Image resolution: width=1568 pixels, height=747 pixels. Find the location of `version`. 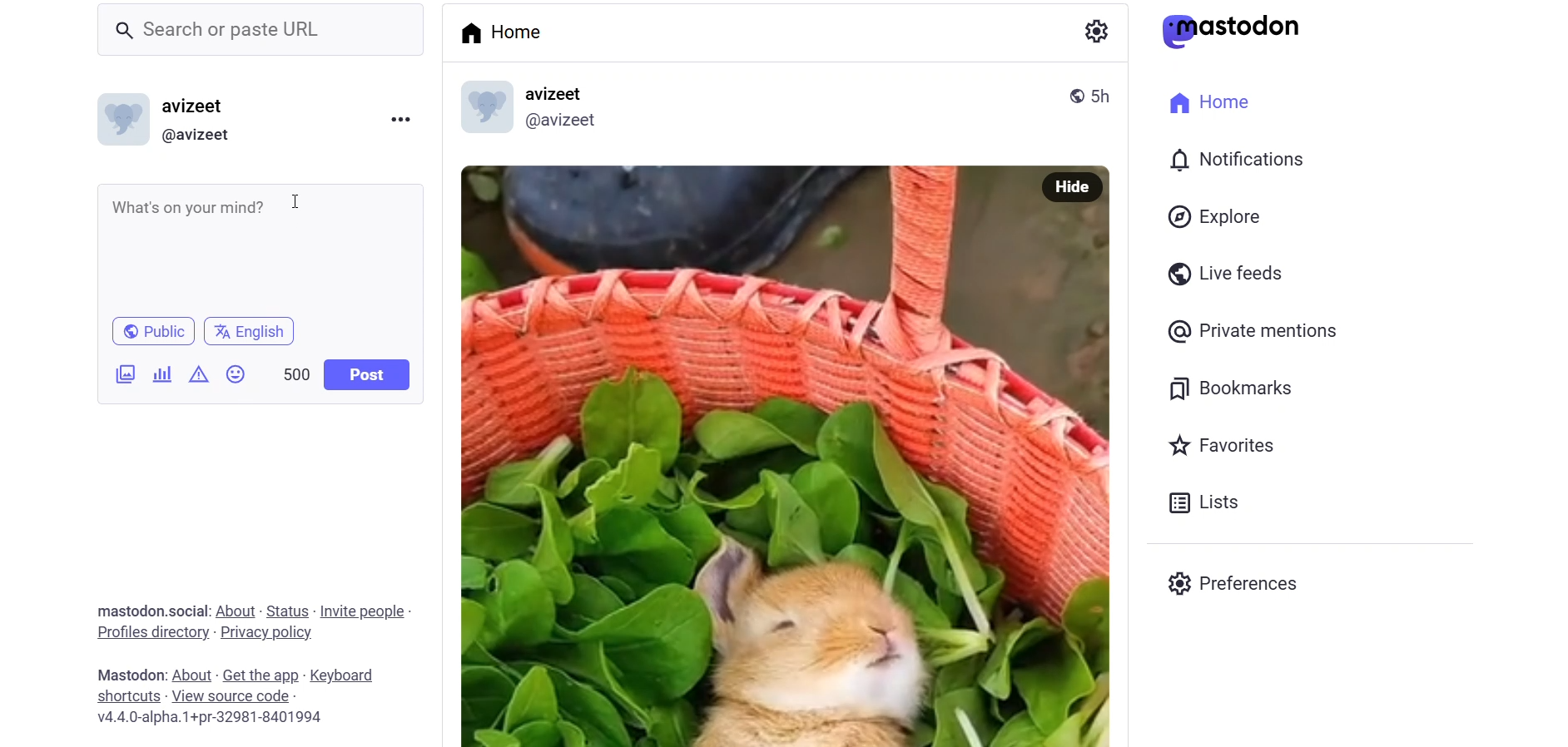

version is located at coordinates (216, 719).